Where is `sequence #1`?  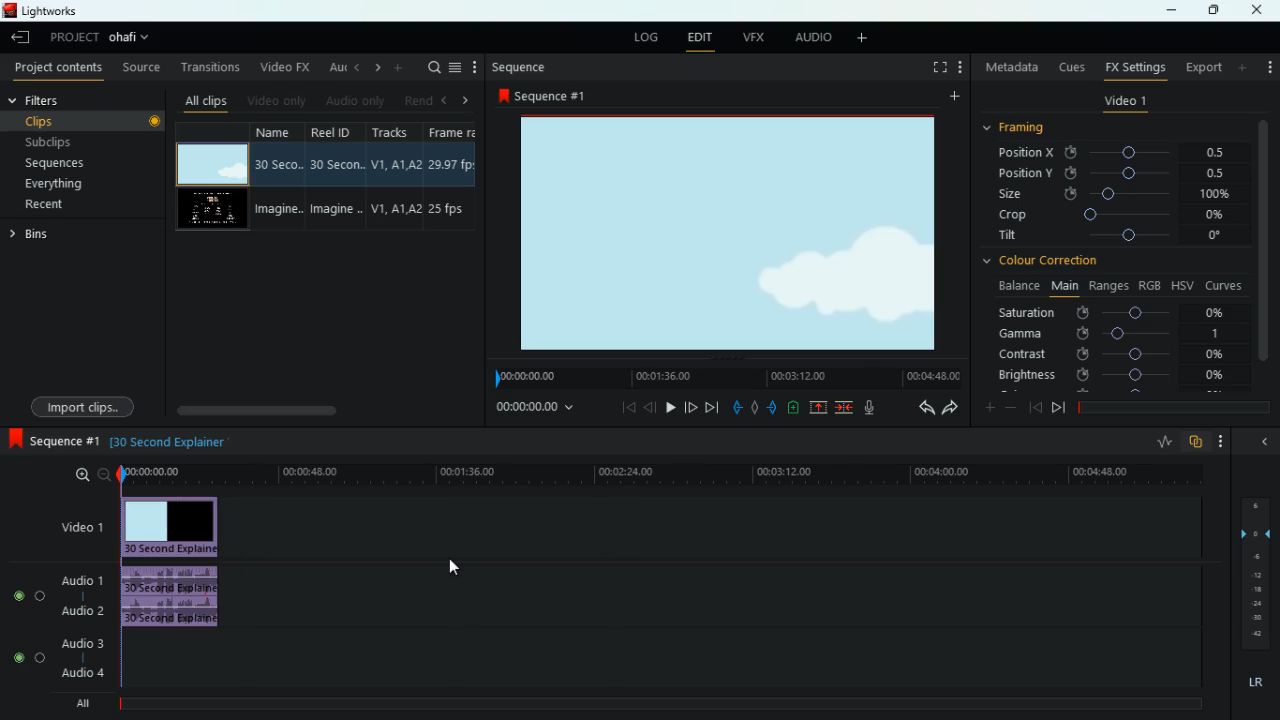
sequence #1 is located at coordinates (547, 95).